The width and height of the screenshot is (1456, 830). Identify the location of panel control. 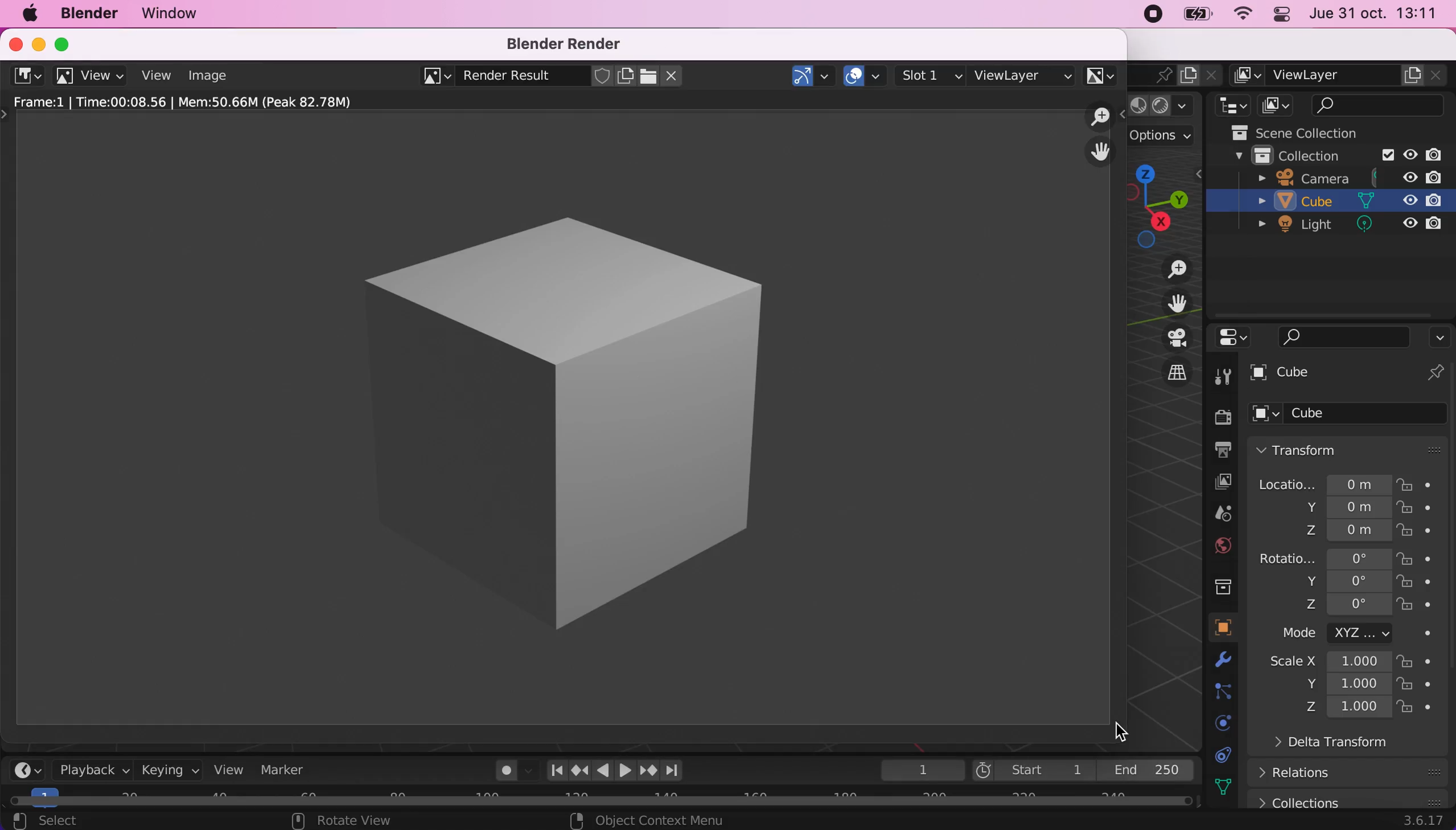
(1284, 14).